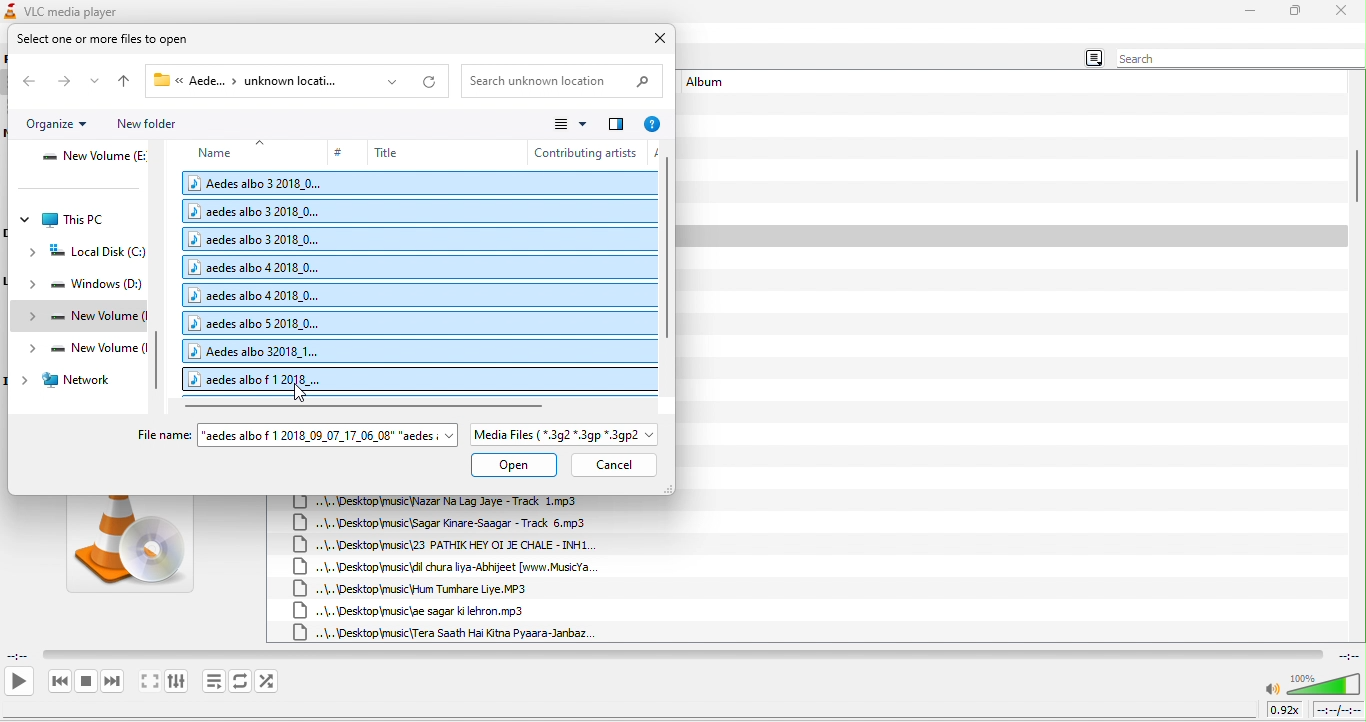 The width and height of the screenshot is (1366, 722). I want to click on up to desktop, so click(126, 83).